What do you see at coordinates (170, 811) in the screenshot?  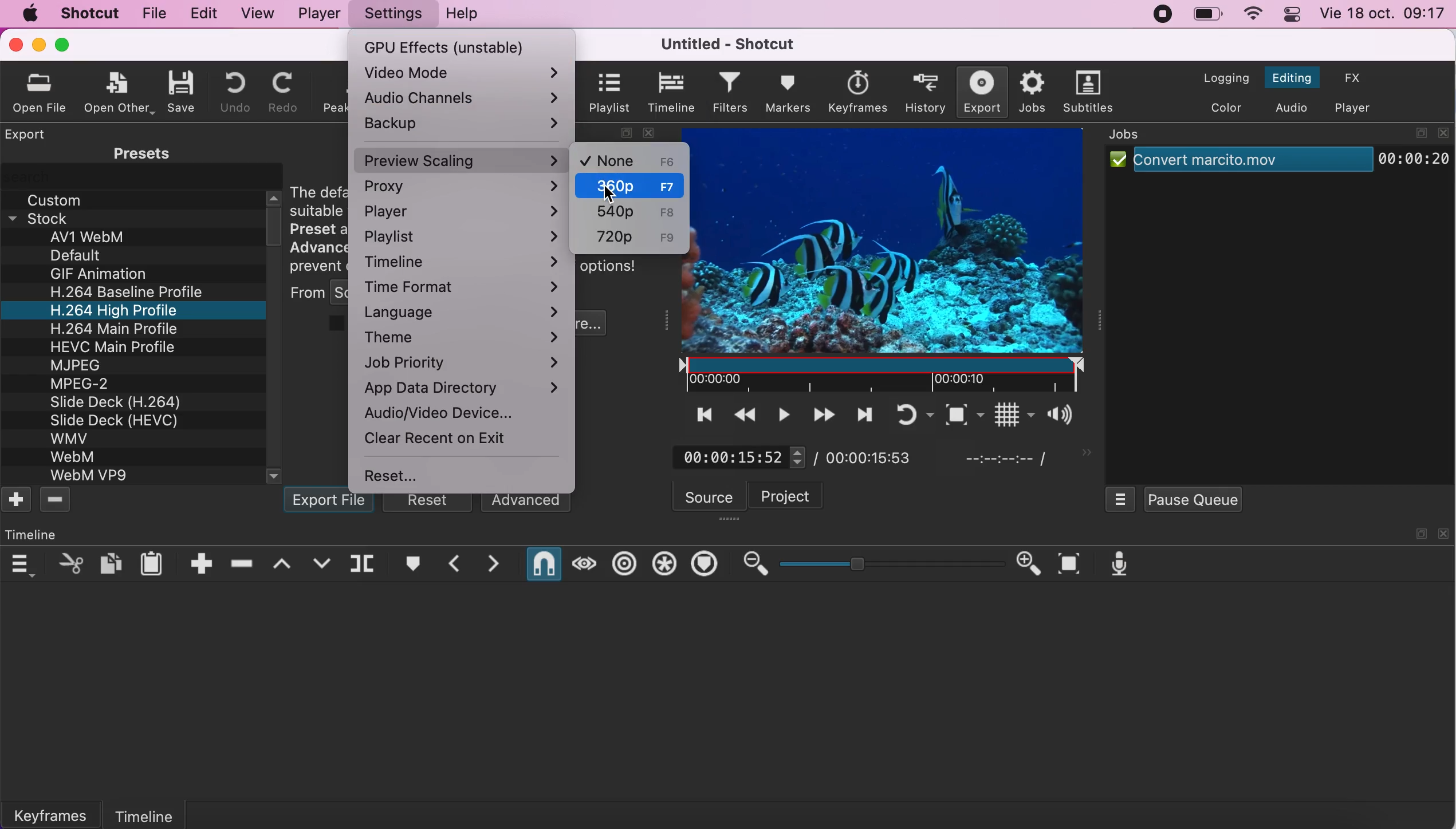 I see `timeline` at bounding box center [170, 811].